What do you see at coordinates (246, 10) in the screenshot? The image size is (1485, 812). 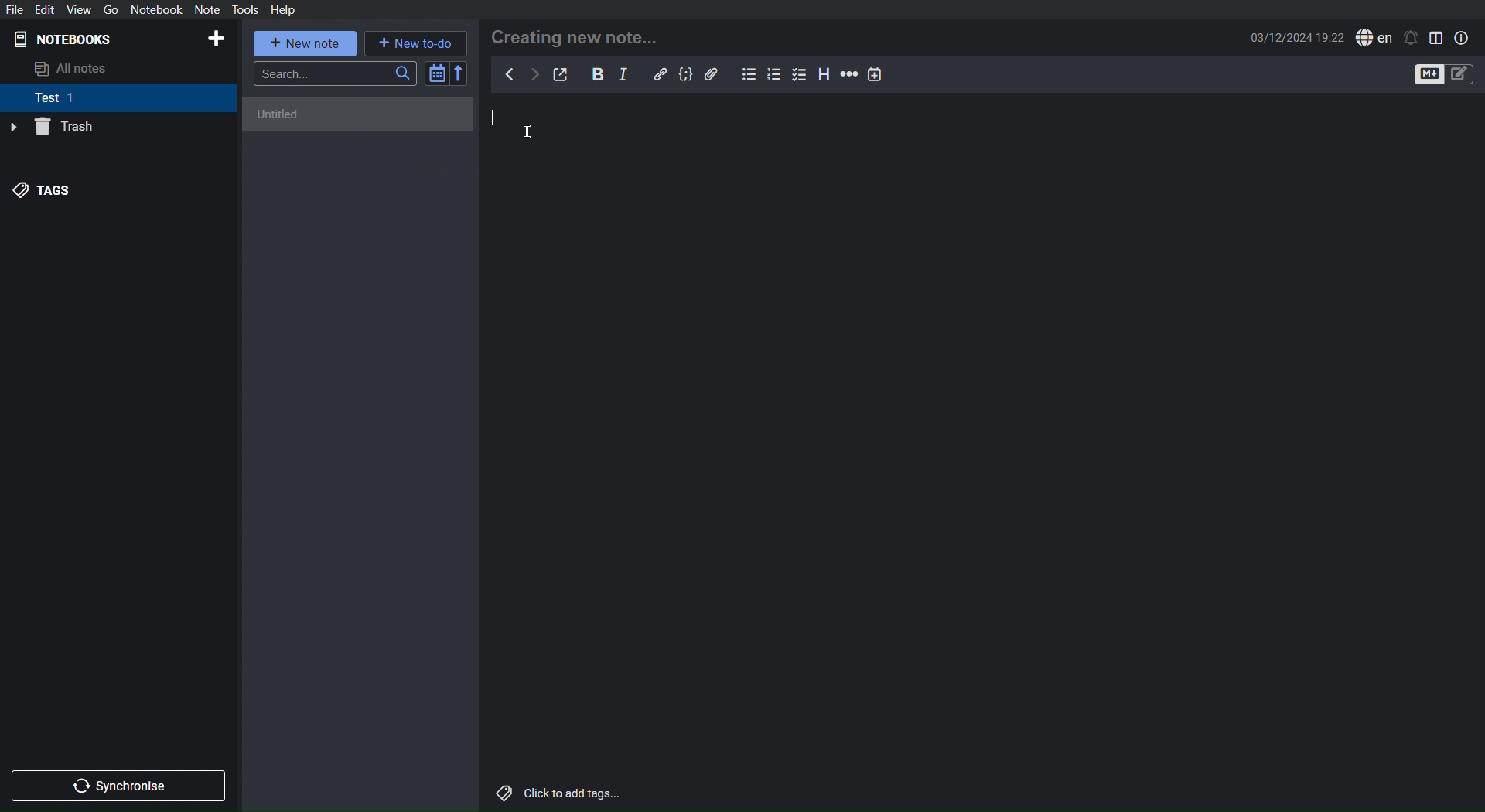 I see `Tools` at bounding box center [246, 10].